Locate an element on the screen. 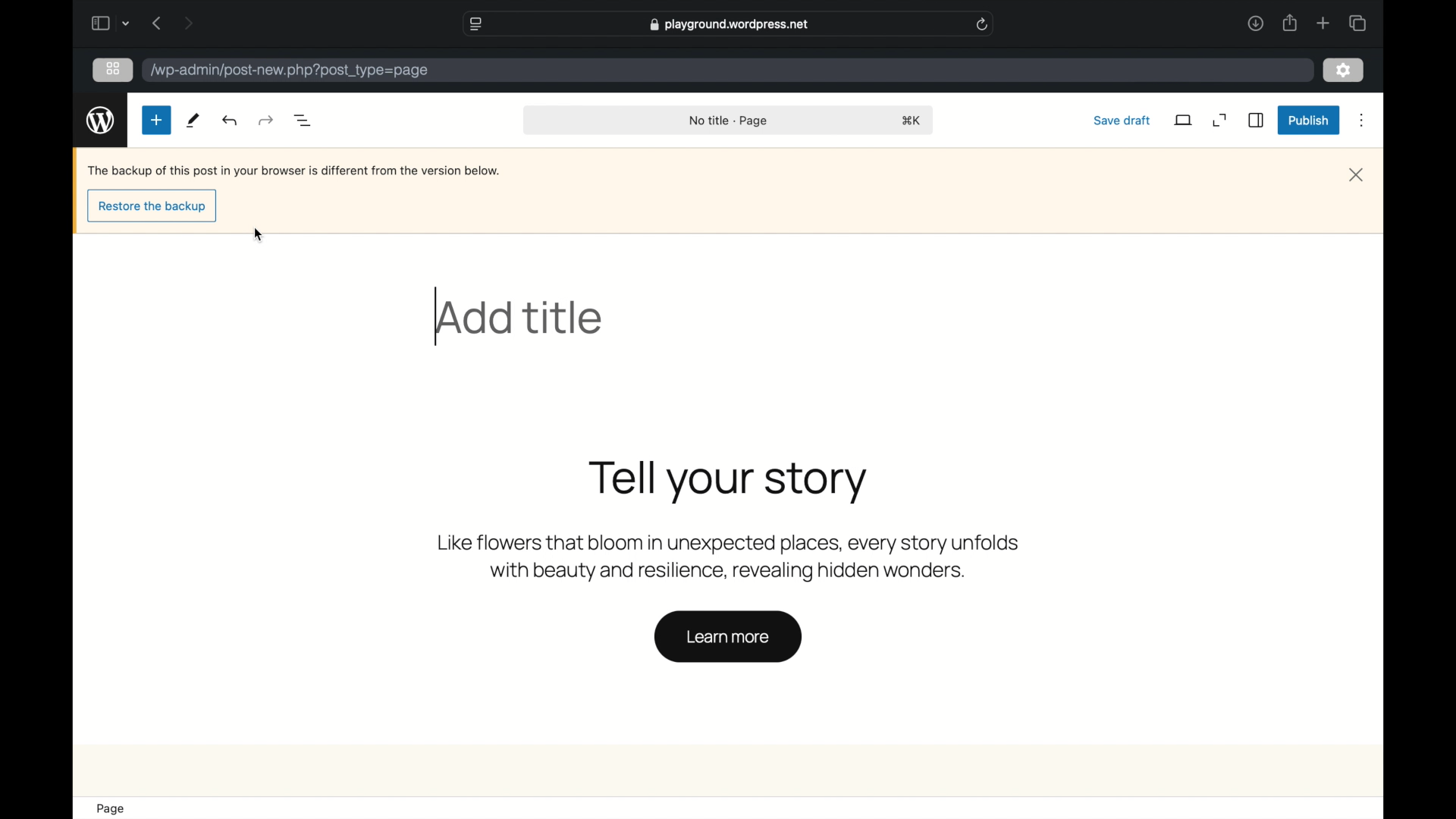 The height and width of the screenshot is (819, 1456). backup notification is located at coordinates (294, 171).